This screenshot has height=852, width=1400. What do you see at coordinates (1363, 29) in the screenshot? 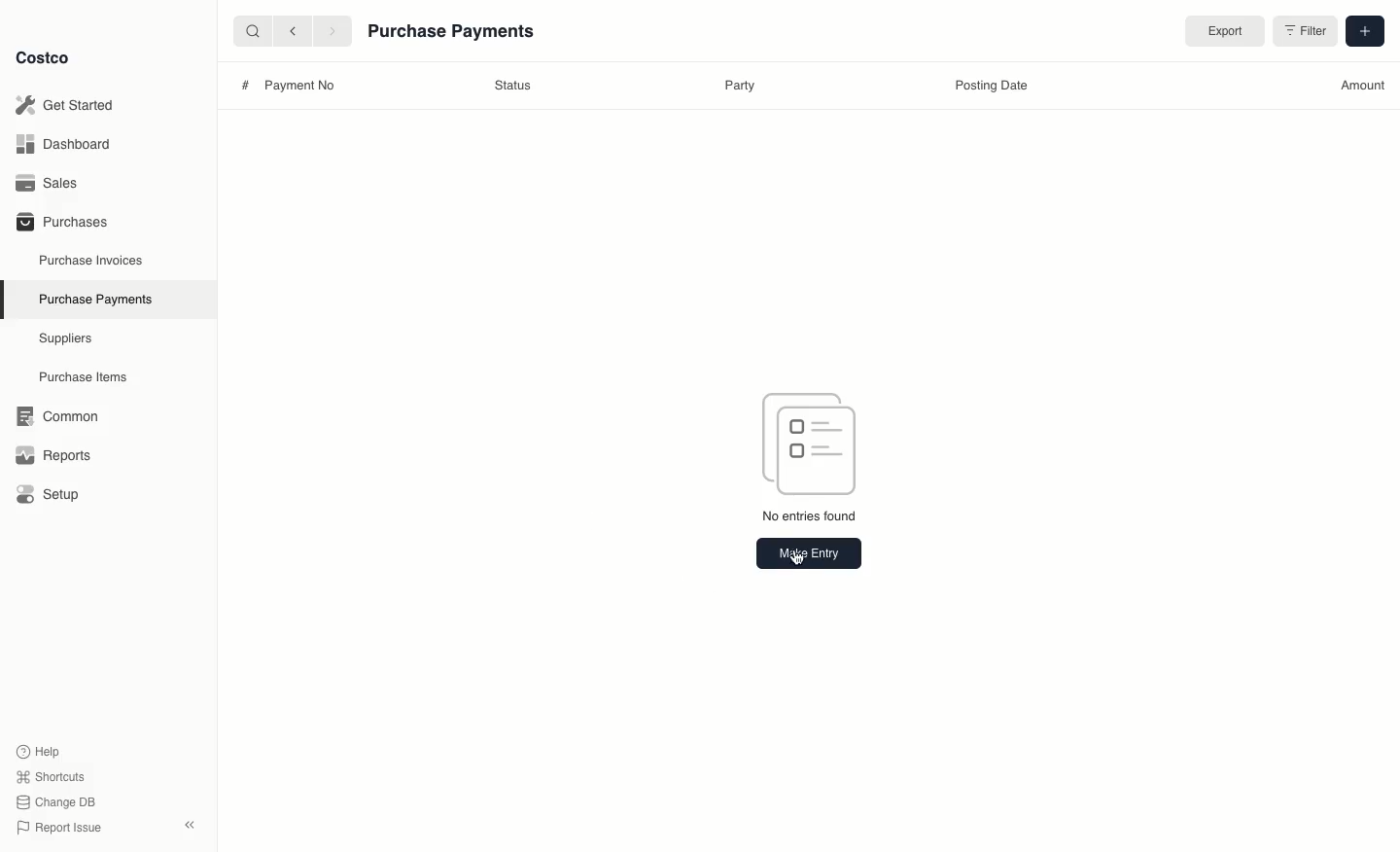
I see `Add` at bounding box center [1363, 29].